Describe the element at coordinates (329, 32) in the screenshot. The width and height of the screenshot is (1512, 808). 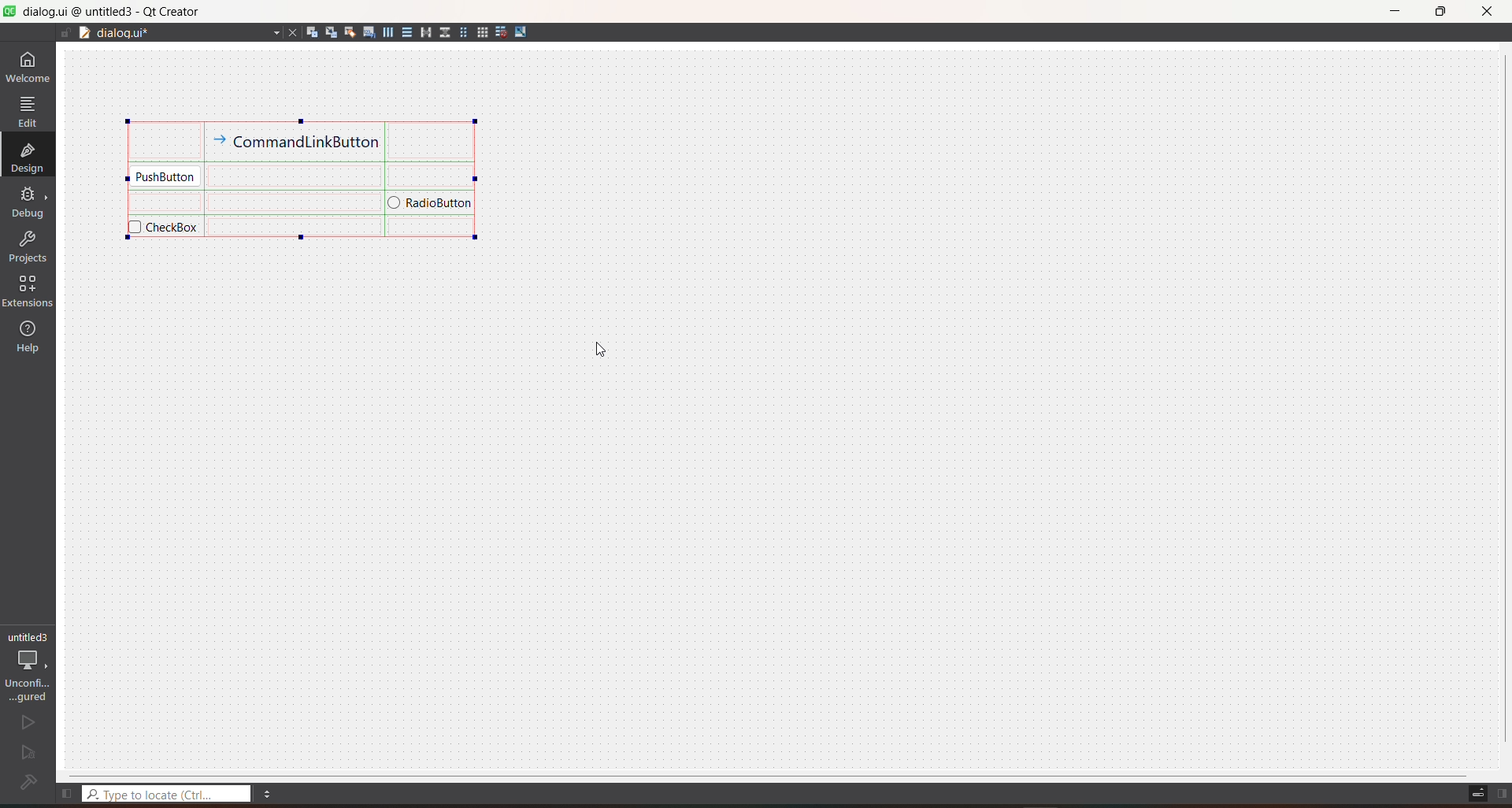
I see `edit signals` at that location.